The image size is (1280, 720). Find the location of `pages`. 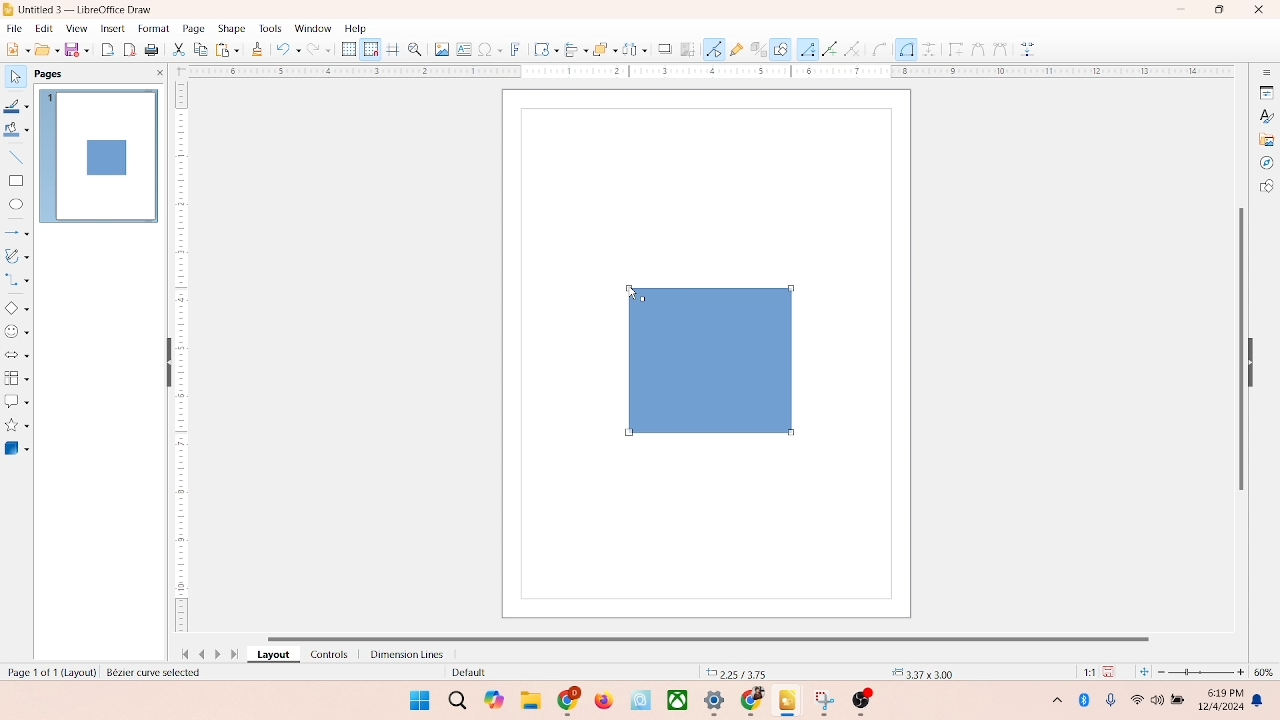

pages is located at coordinates (47, 72).